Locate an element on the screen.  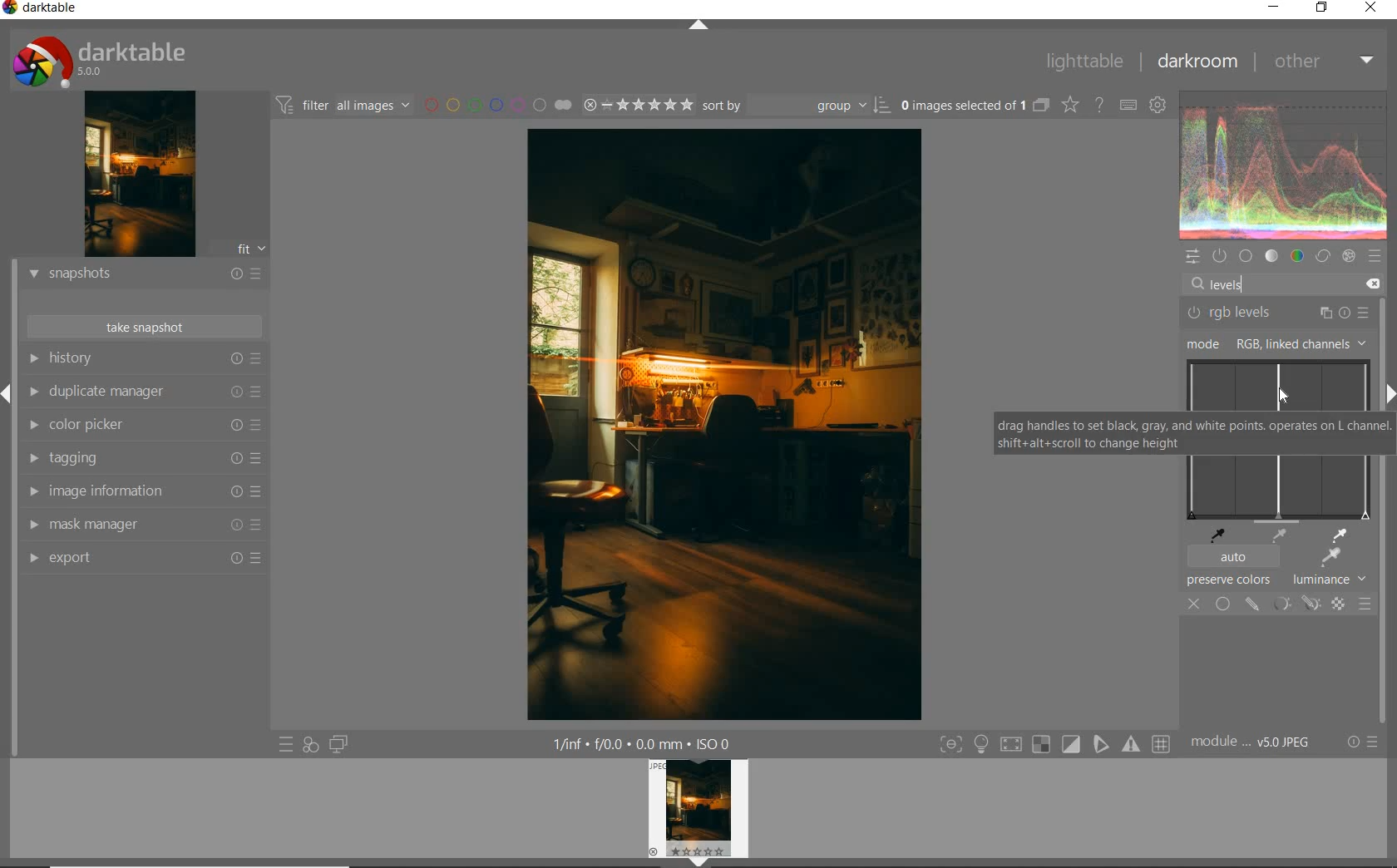
take snapshot is located at coordinates (146, 326).